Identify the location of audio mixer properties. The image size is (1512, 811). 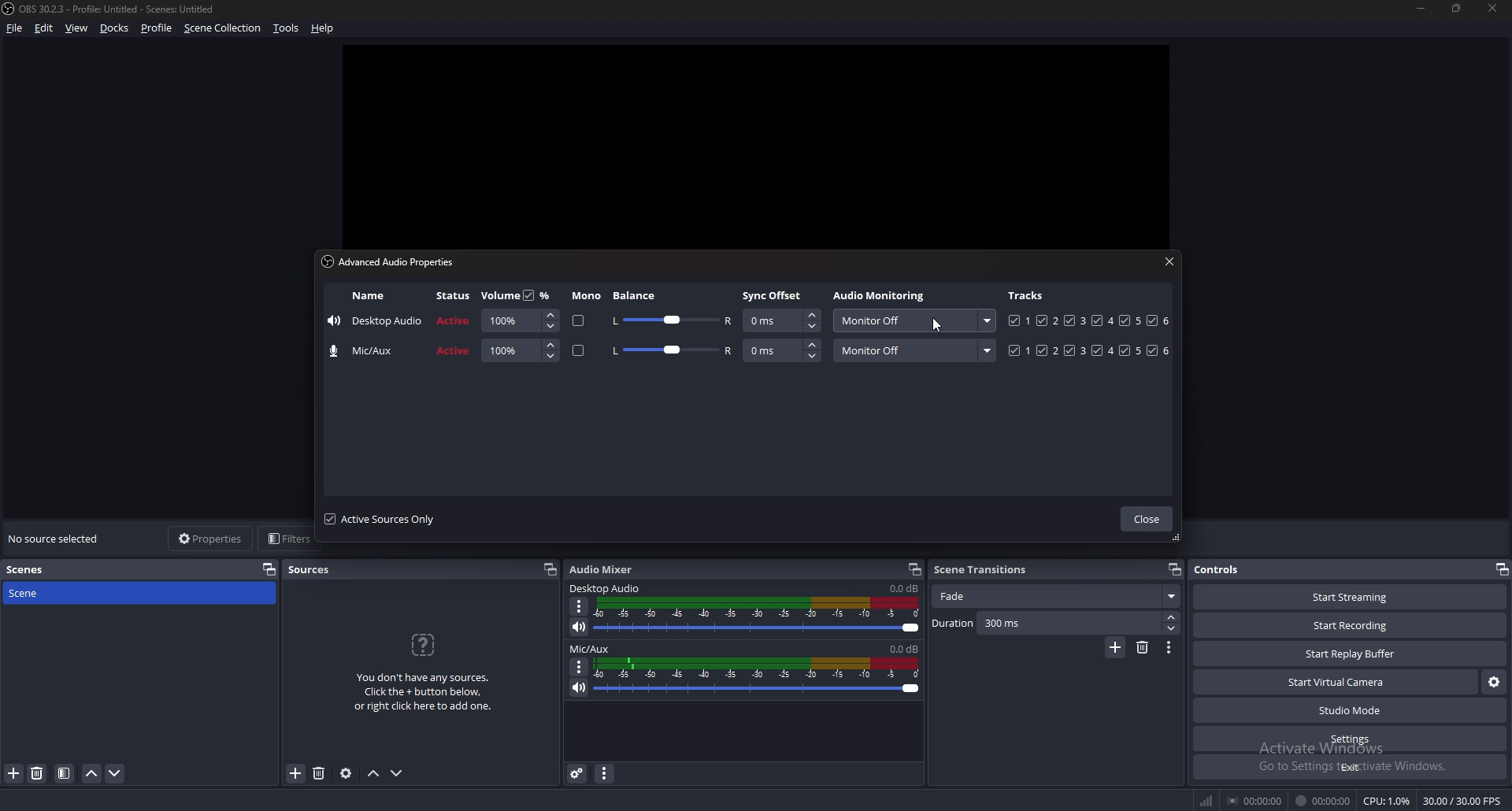
(606, 774).